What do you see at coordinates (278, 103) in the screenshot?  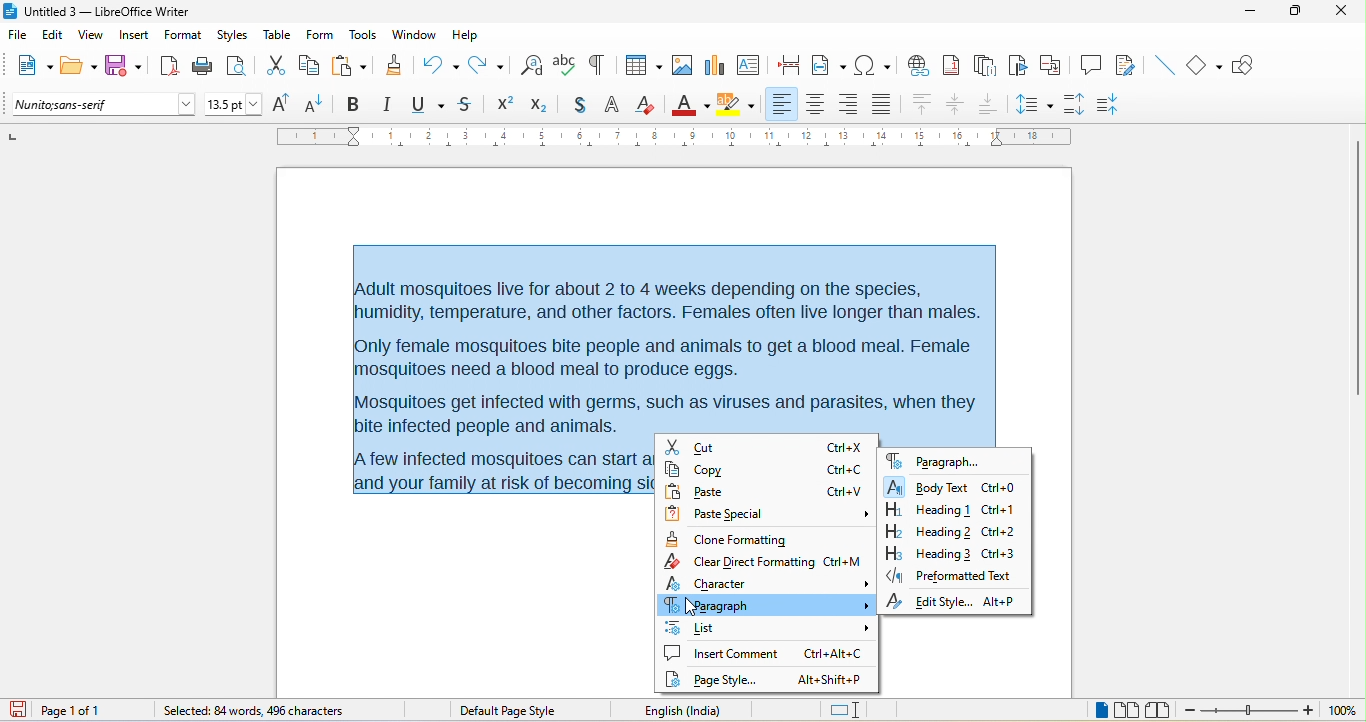 I see `increase size` at bounding box center [278, 103].